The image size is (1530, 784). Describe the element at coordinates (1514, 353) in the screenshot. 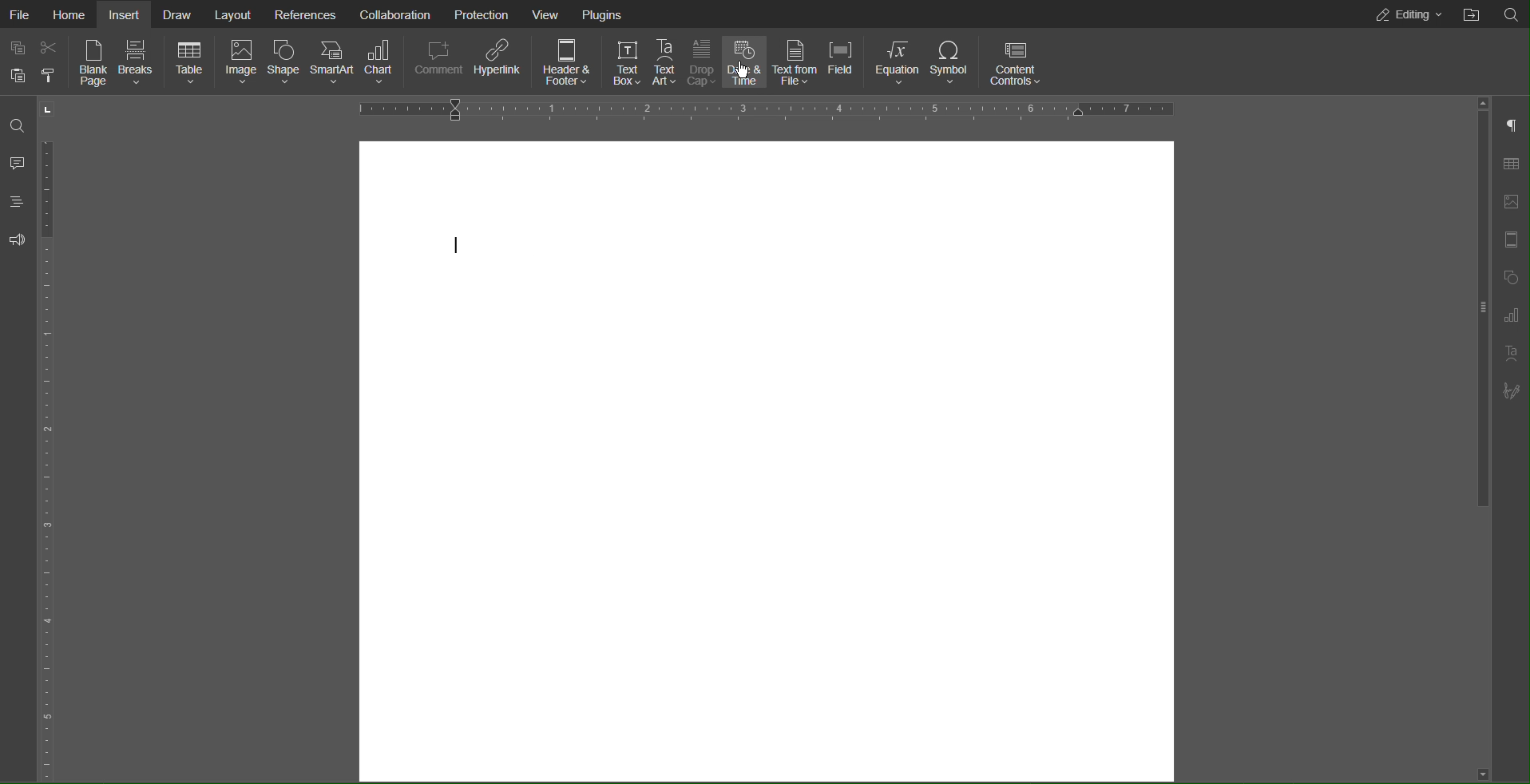

I see `Text Art` at that location.